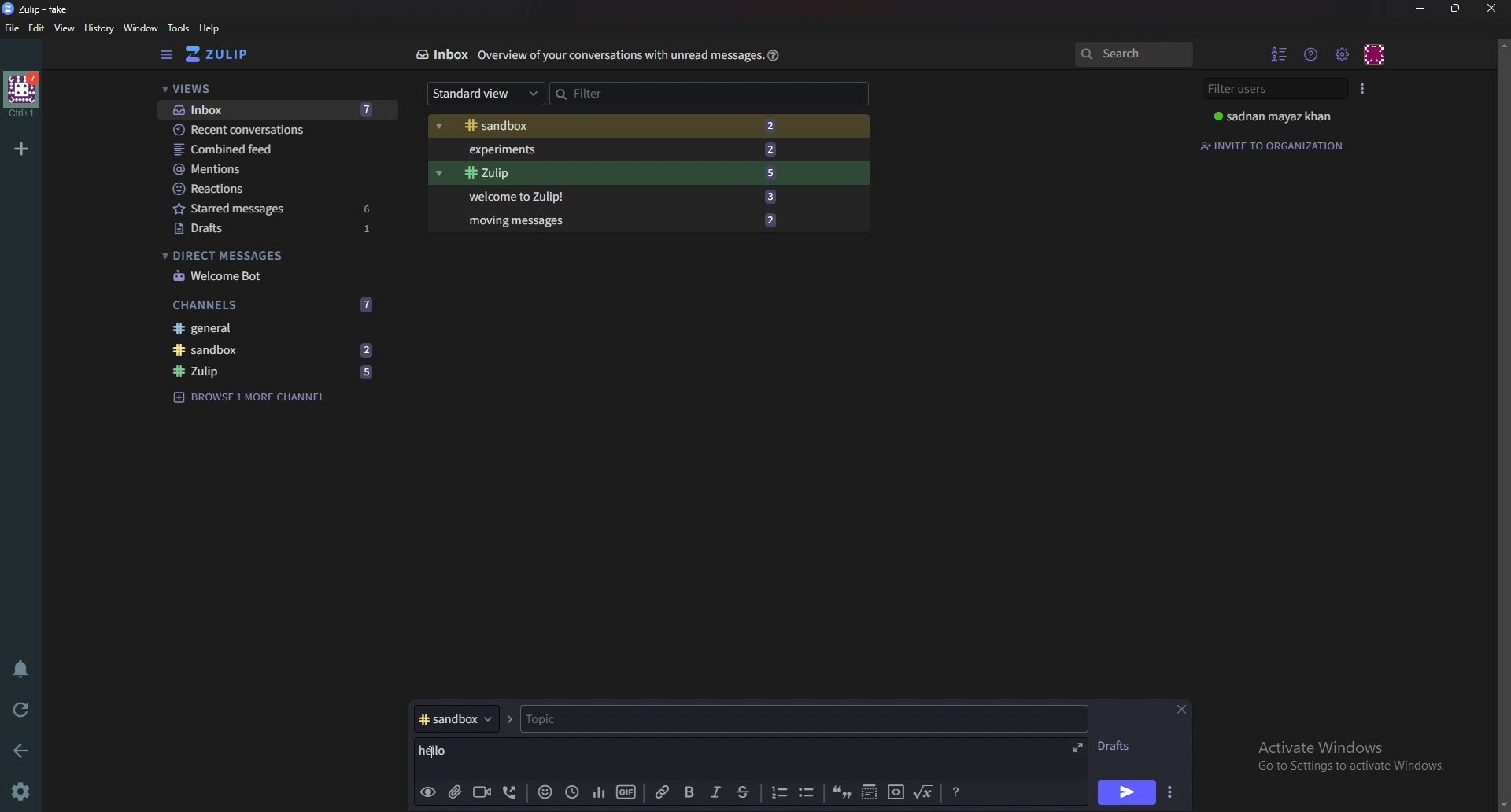 Image resolution: width=1511 pixels, height=812 pixels. I want to click on gif, so click(625, 791).